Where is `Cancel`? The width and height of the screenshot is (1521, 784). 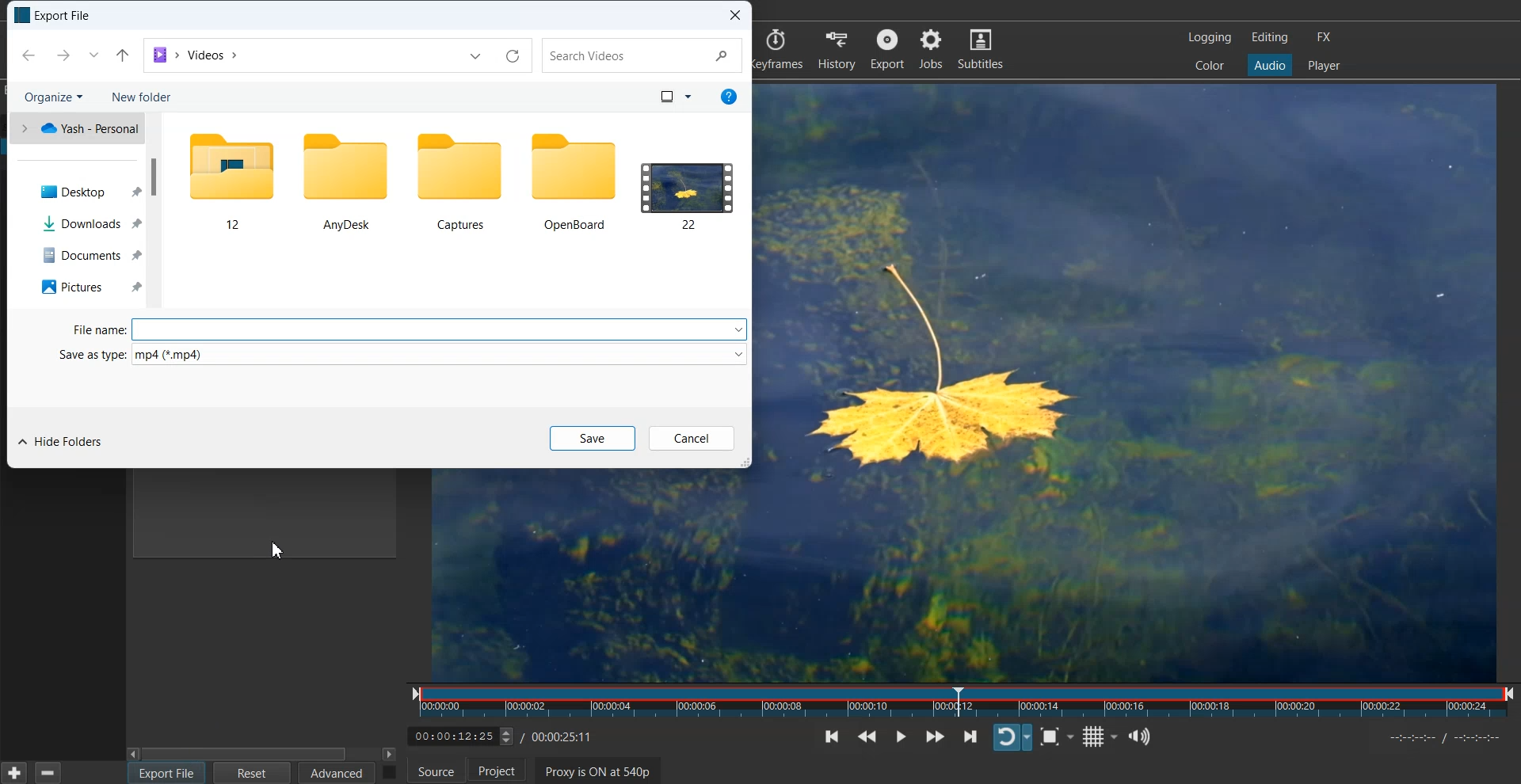
Cancel is located at coordinates (692, 439).